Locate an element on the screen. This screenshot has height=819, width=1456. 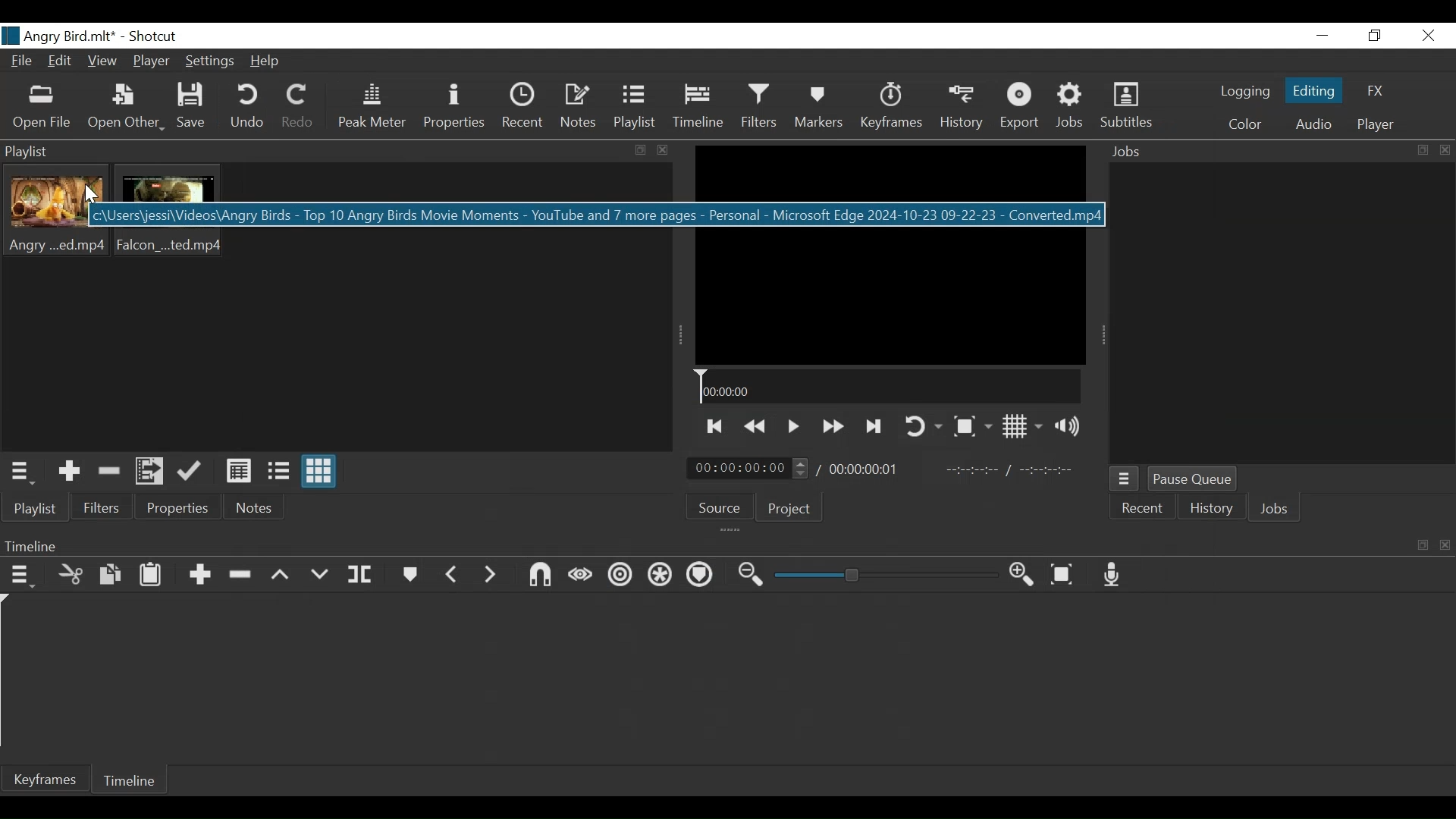
Filters is located at coordinates (762, 108).